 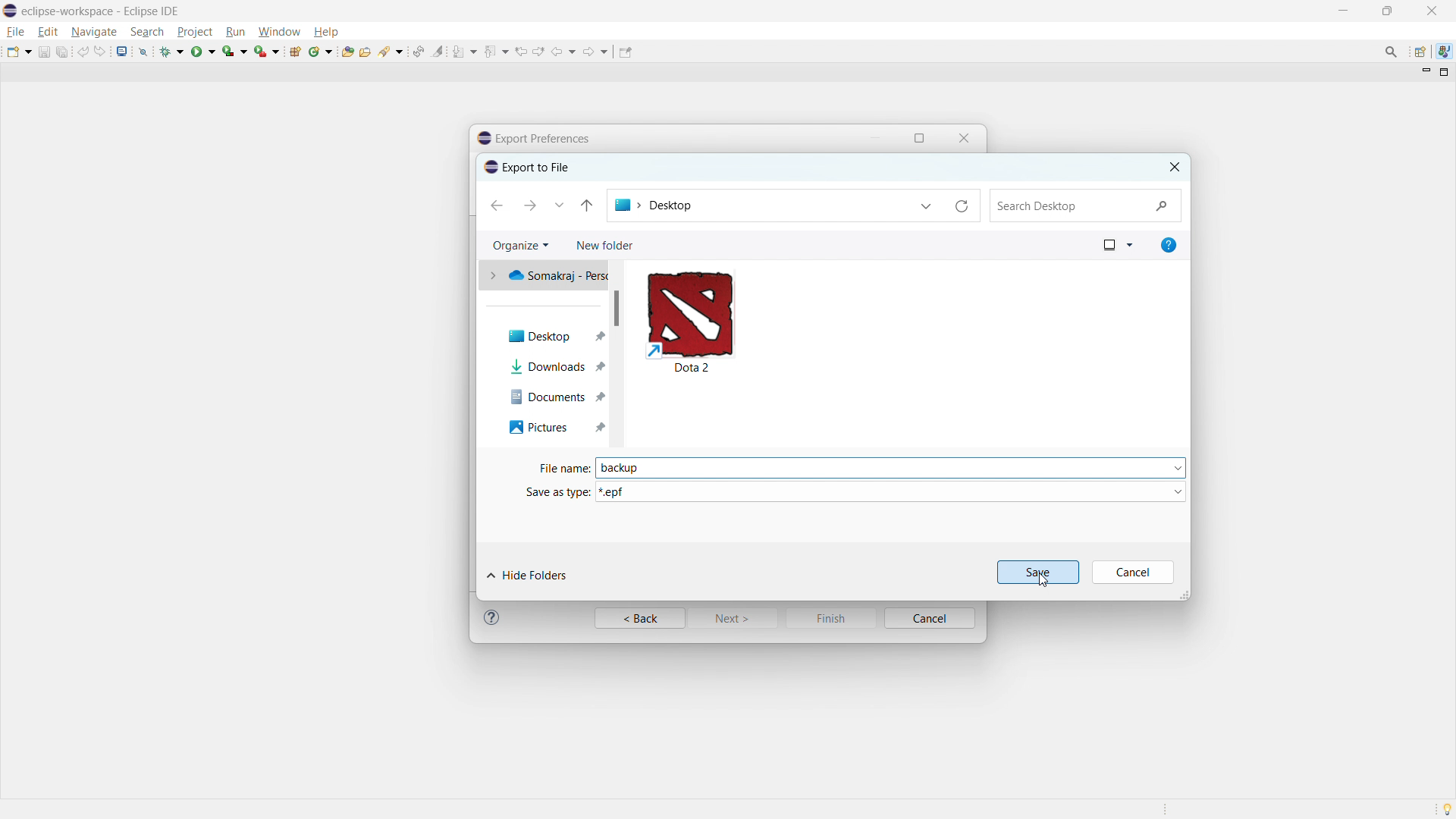 I want to click on java, so click(x=1444, y=50).